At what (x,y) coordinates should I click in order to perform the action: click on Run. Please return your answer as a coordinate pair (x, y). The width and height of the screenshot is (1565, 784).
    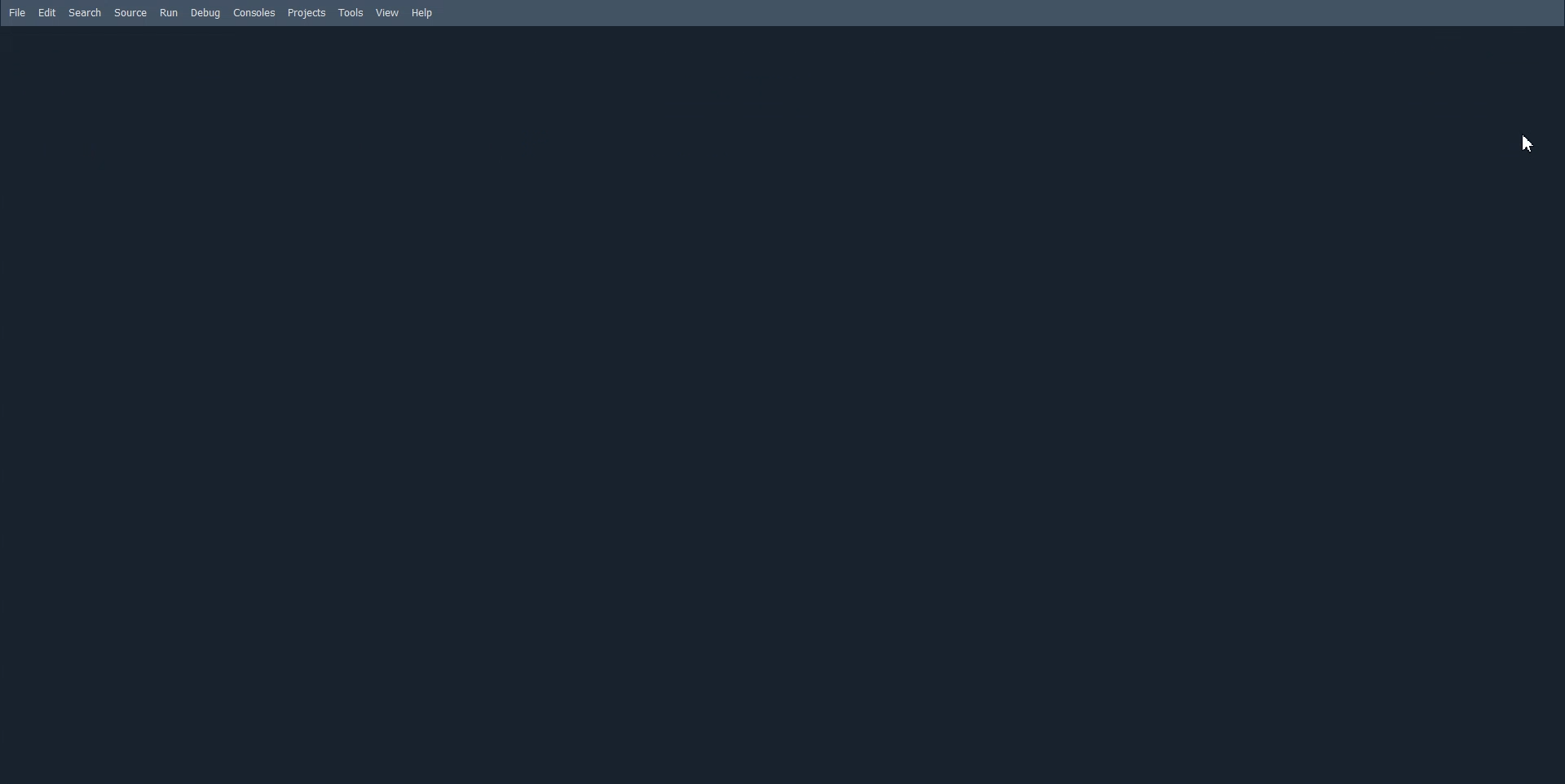
    Looking at the image, I should click on (169, 13).